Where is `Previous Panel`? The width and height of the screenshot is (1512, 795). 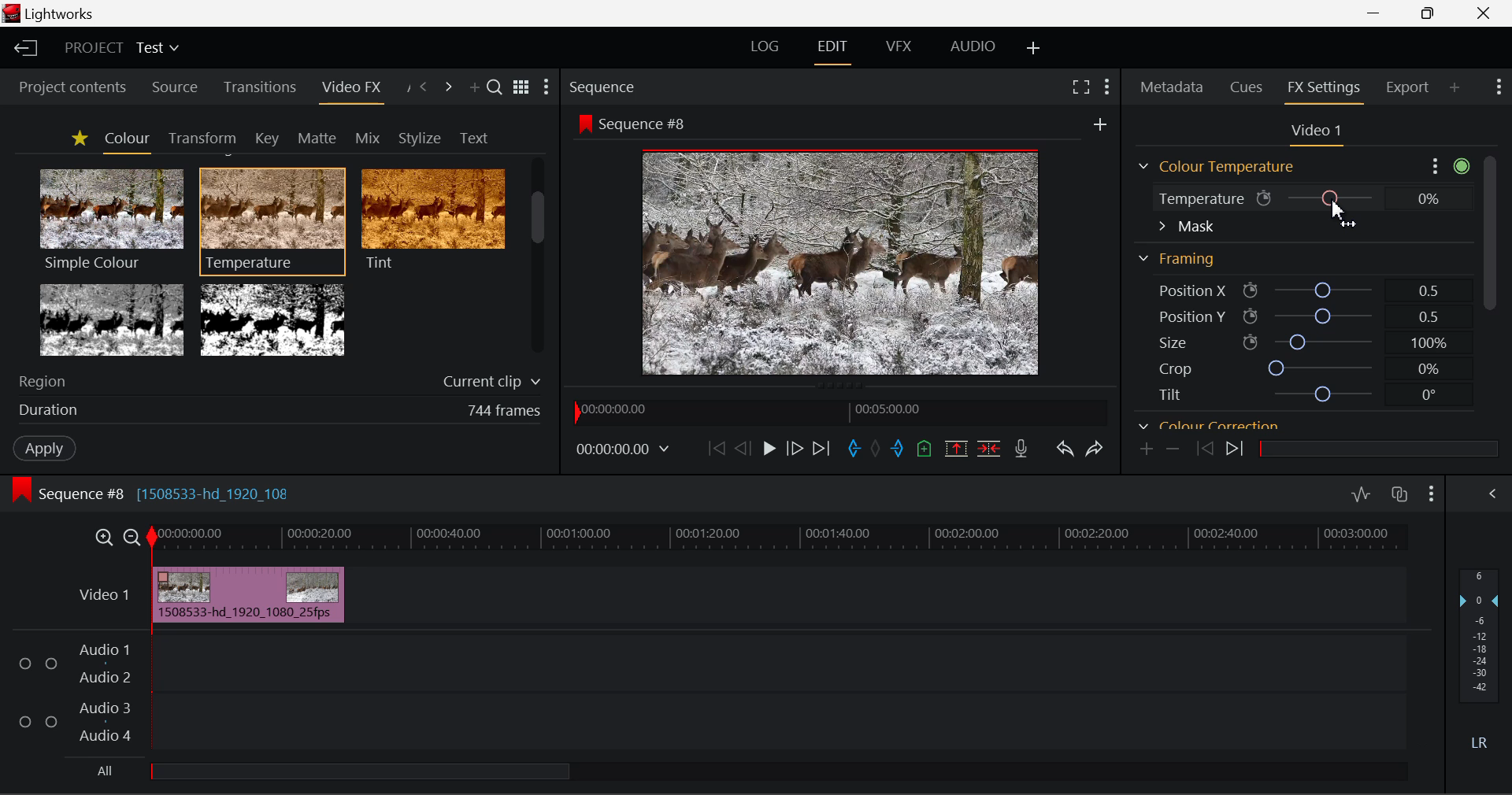 Previous Panel is located at coordinates (425, 89).